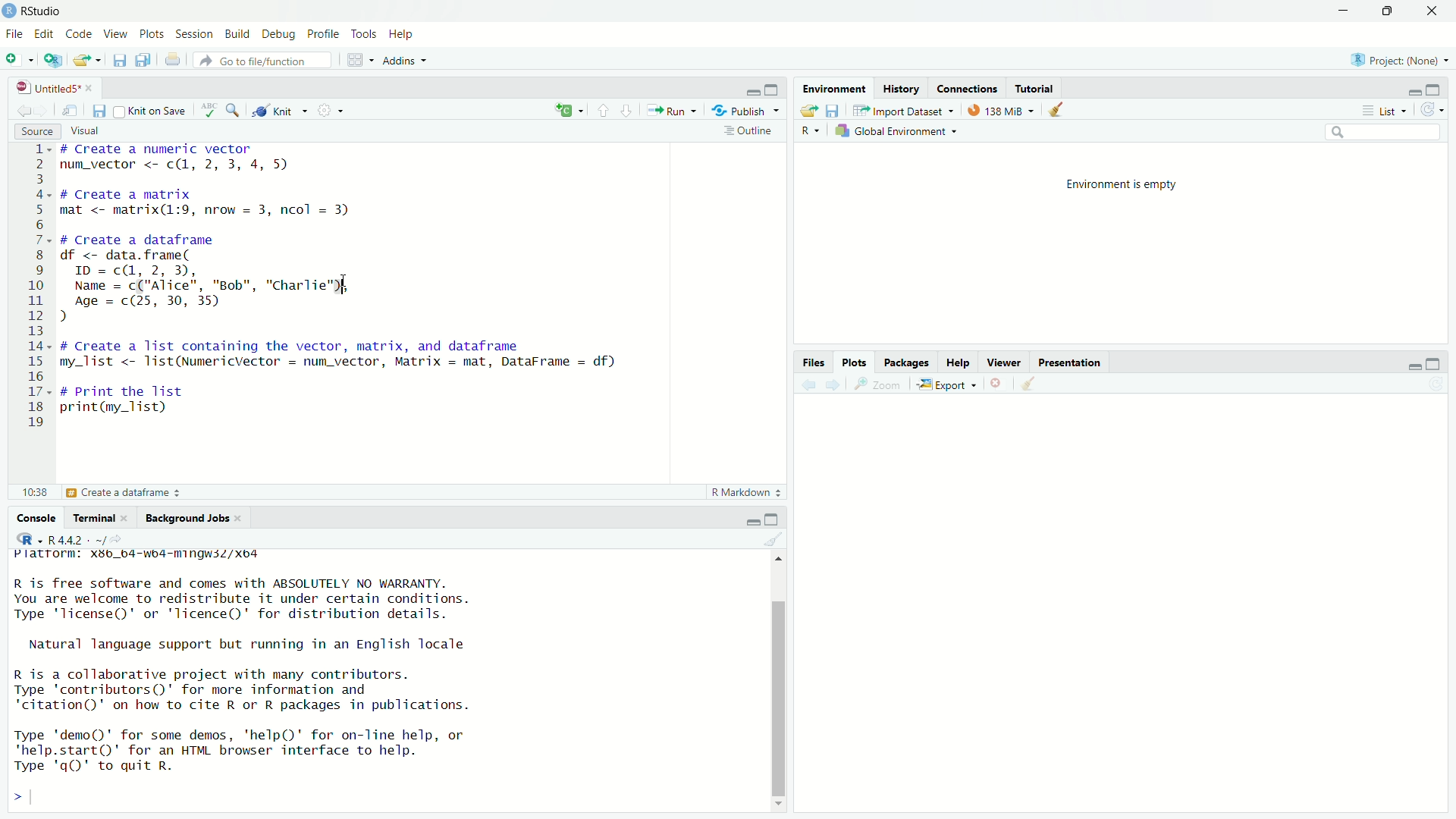 Image resolution: width=1456 pixels, height=819 pixels. What do you see at coordinates (1059, 111) in the screenshot?
I see `clear` at bounding box center [1059, 111].